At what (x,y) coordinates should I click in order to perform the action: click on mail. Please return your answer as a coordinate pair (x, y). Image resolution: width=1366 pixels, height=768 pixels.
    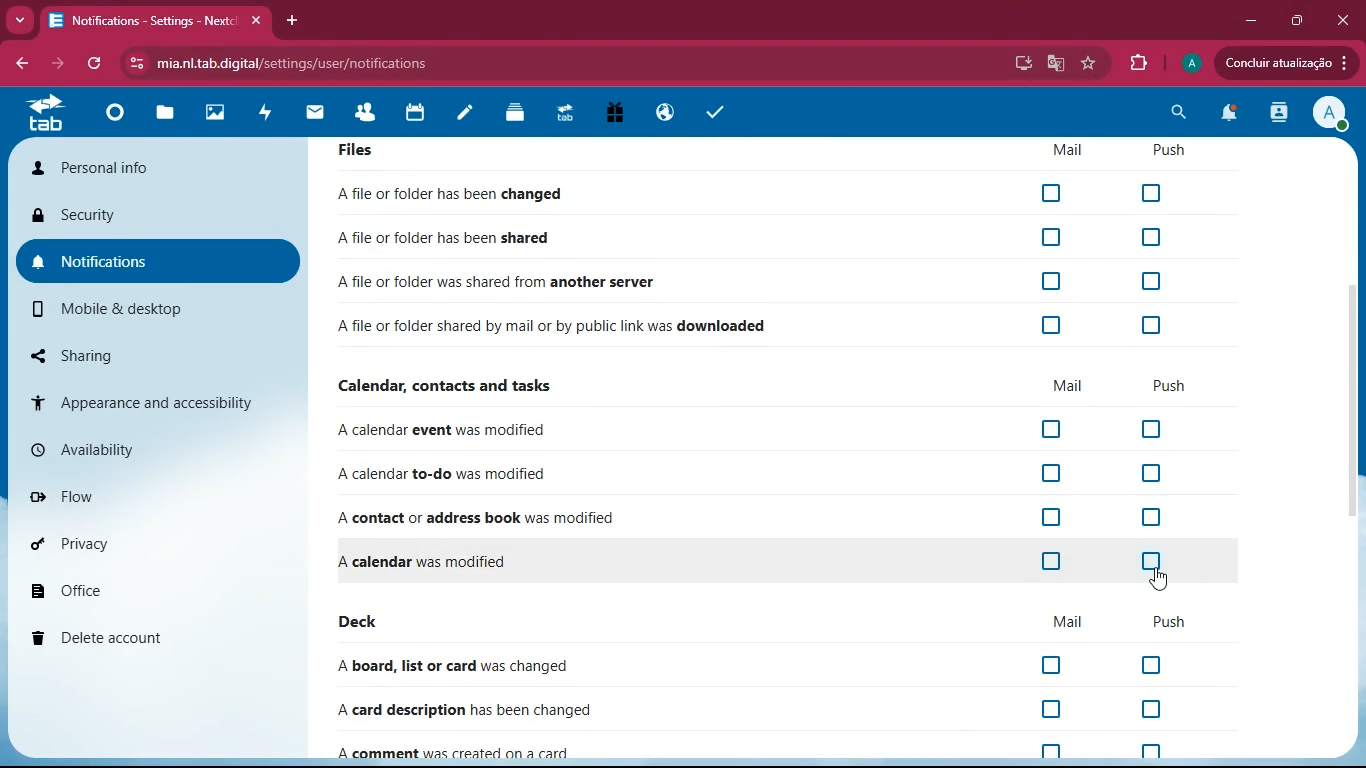
    Looking at the image, I should click on (1062, 622).